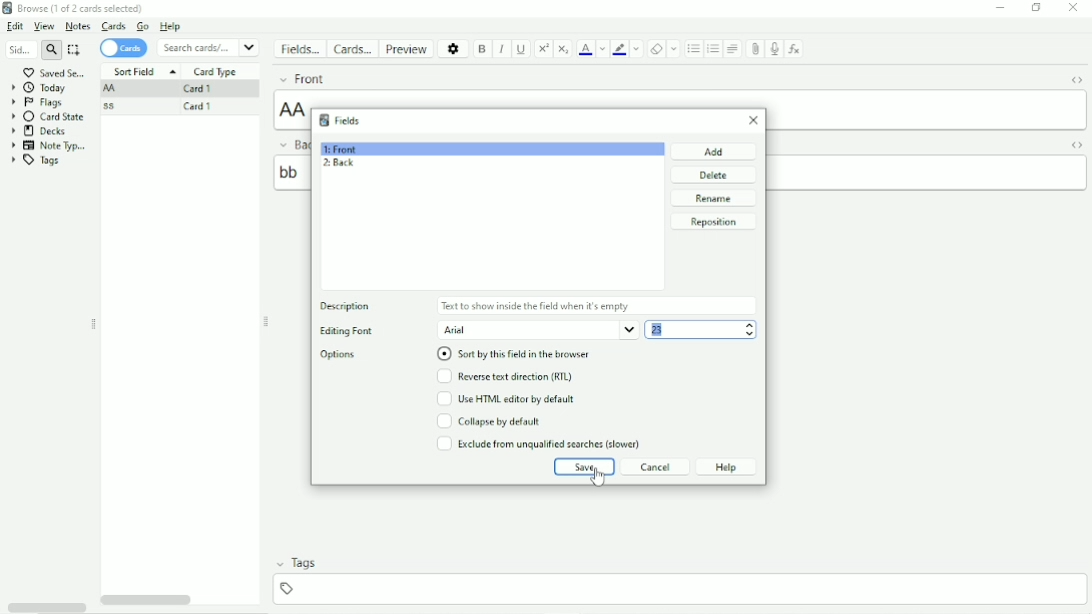 The height and width of the screenshot is (614, 1092). I want to click on ss, so click(114, 106).